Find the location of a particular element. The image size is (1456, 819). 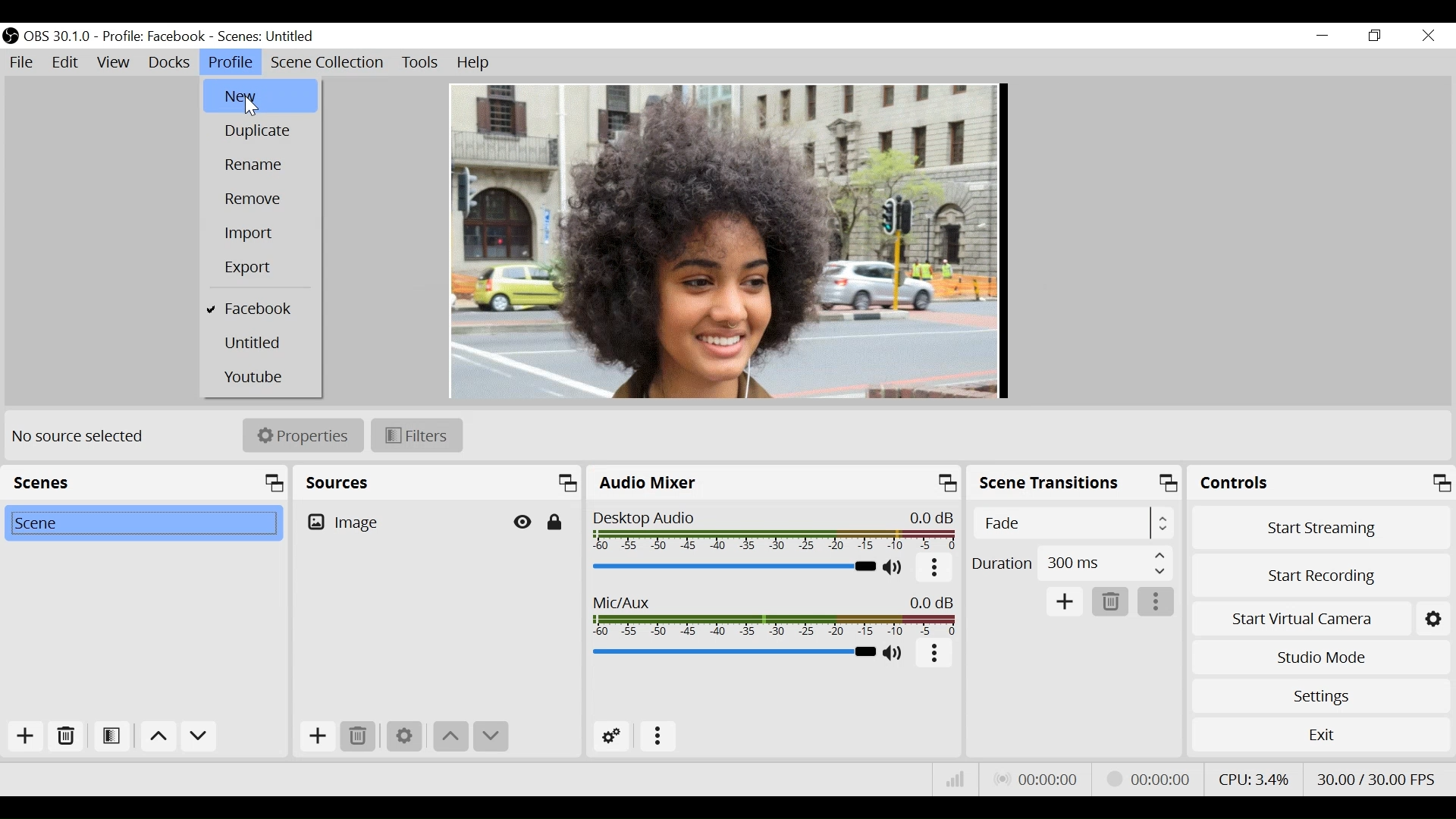

Facebook is located at coordinates (261, 309).